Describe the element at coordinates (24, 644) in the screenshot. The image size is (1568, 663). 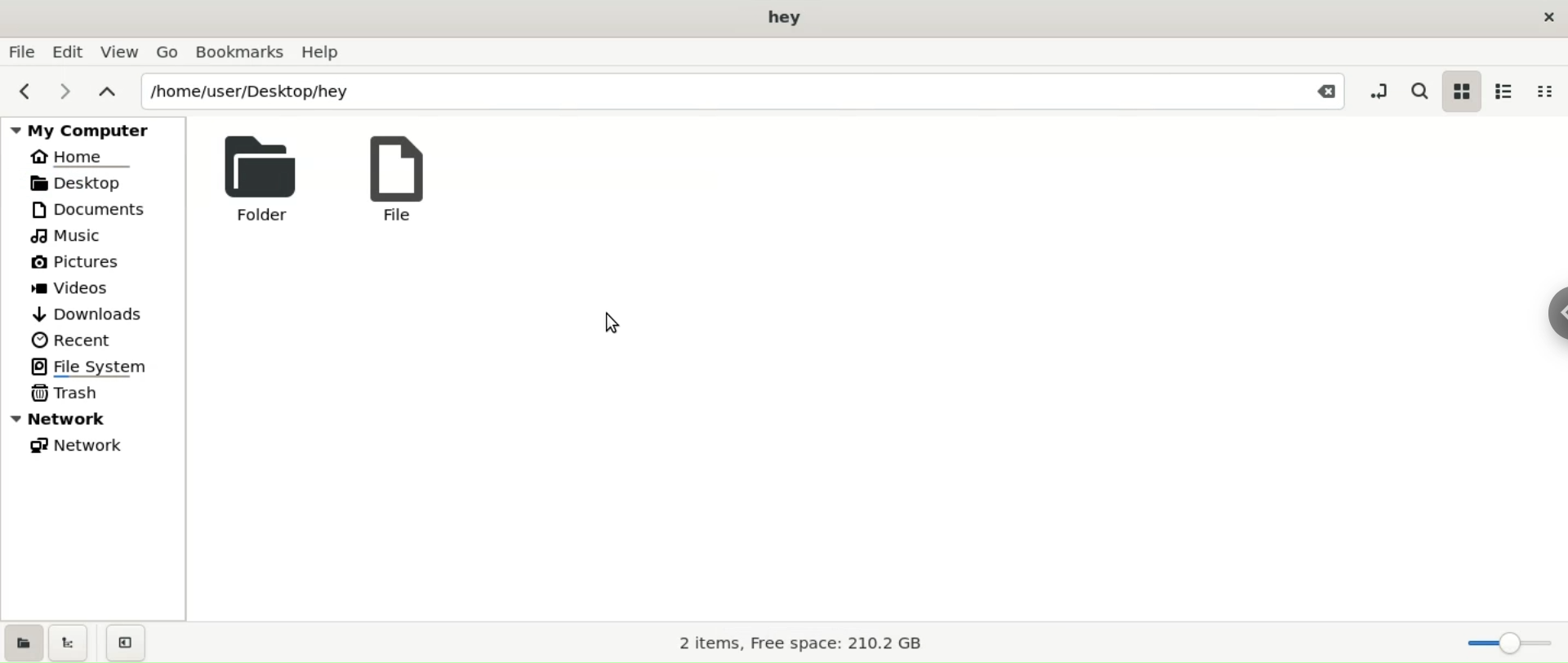
I see `show places` at that location.